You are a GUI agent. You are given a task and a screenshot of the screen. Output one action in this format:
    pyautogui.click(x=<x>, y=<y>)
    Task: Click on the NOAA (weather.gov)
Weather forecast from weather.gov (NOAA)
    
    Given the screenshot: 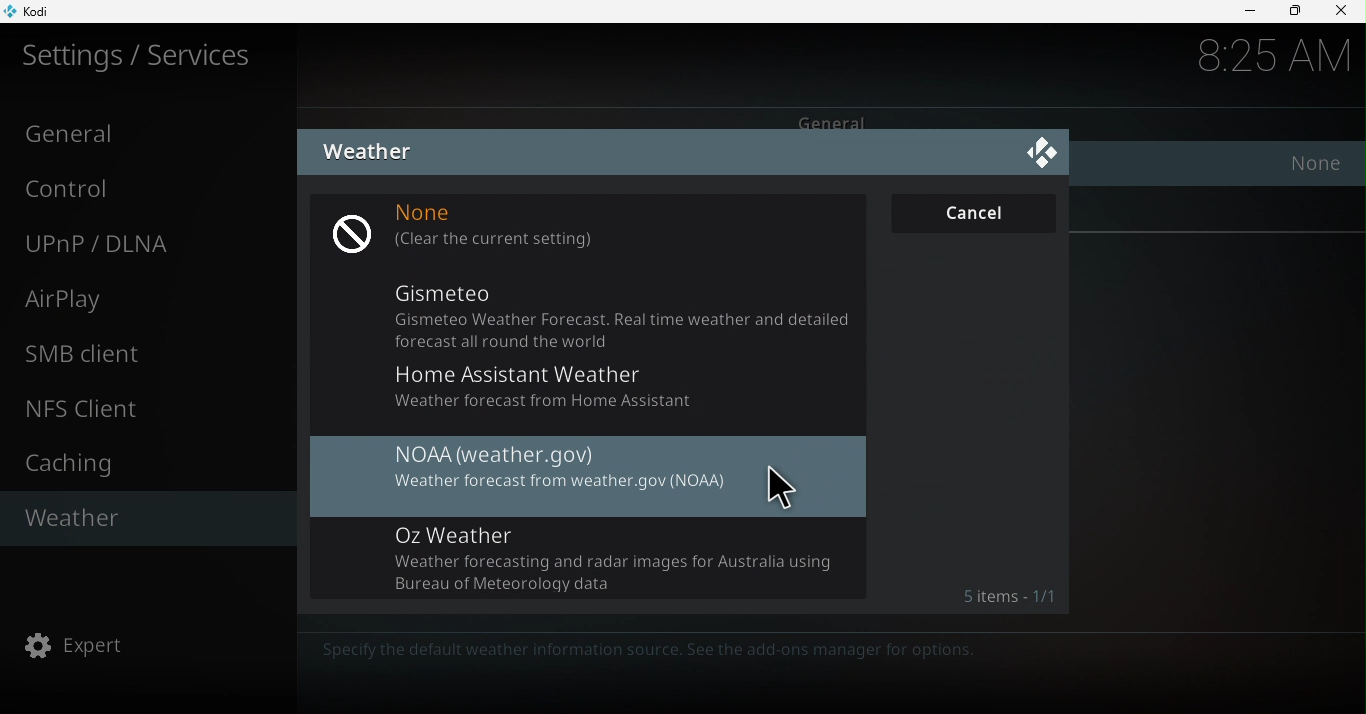 What is the action you would take?
    pyautogui.click(x=604, y=466)
    